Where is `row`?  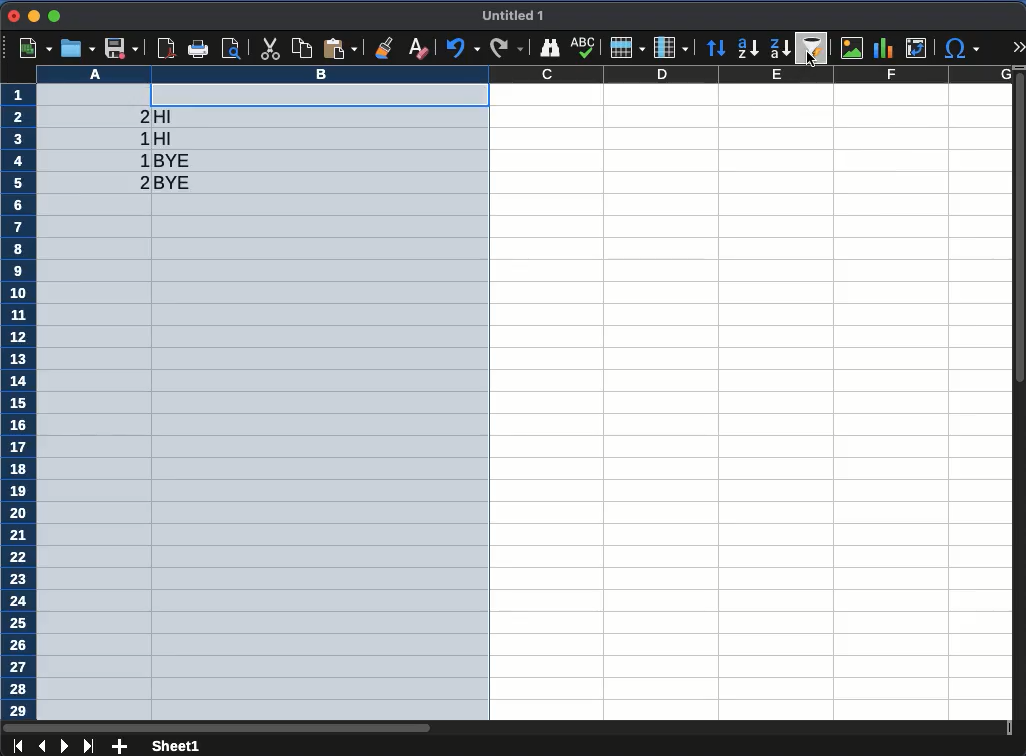 row is located at coordinates (18, 402).